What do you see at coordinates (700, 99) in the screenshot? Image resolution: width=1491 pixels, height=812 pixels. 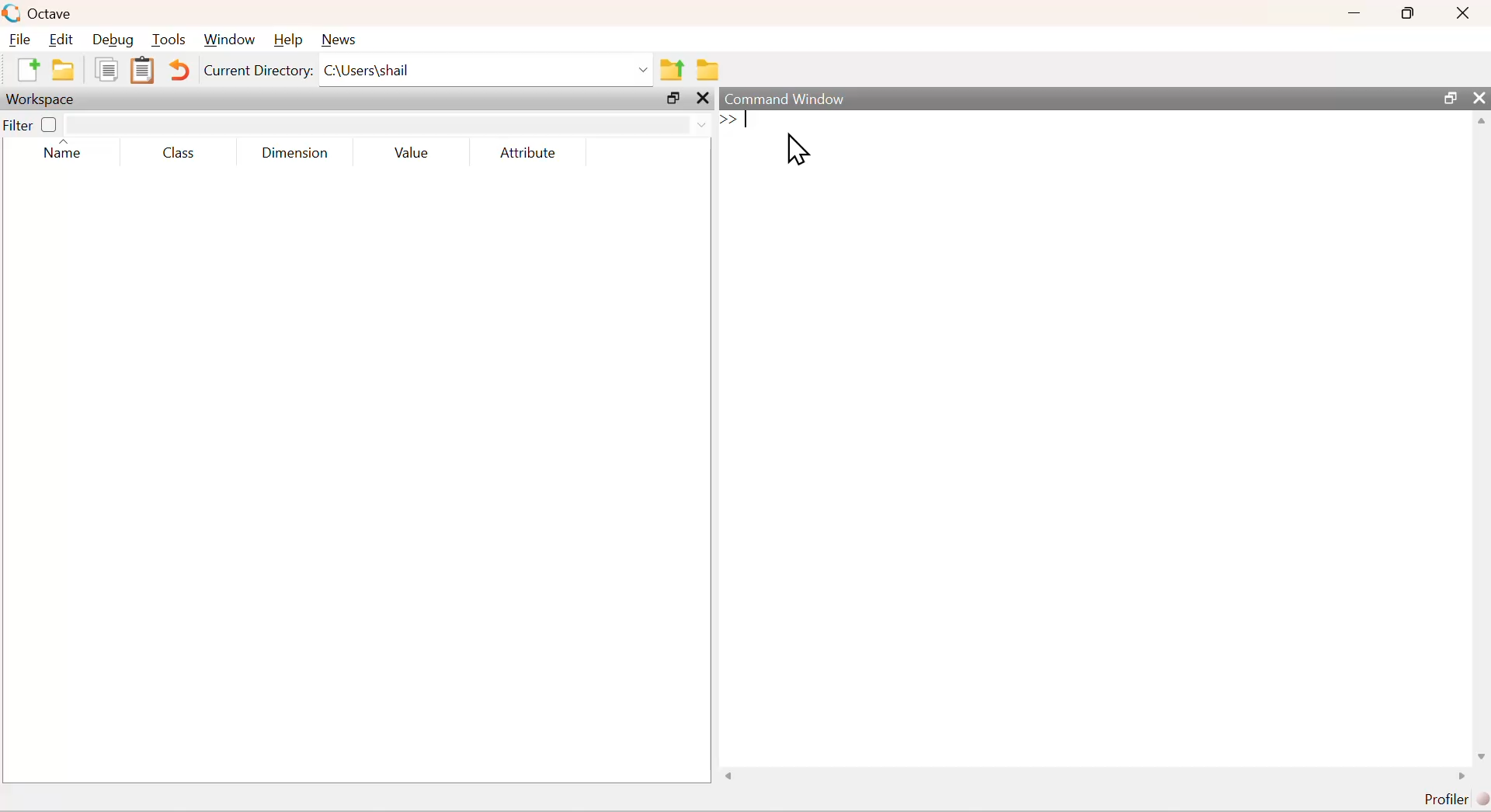 I see `Close` at bounding box center [700, 99].